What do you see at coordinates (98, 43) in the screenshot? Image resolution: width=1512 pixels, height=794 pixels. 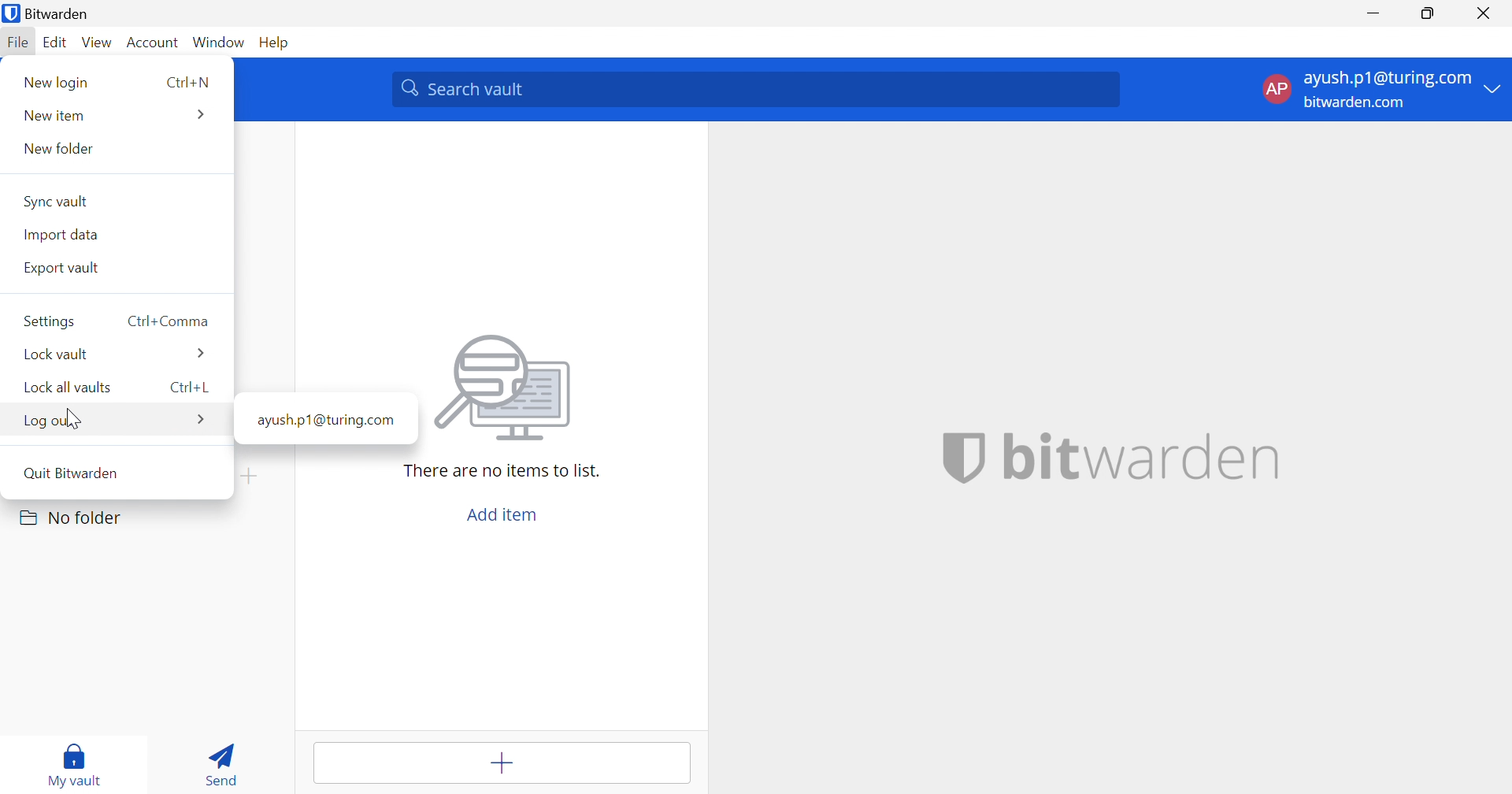 I see `View` at bounding box center [98, 43].